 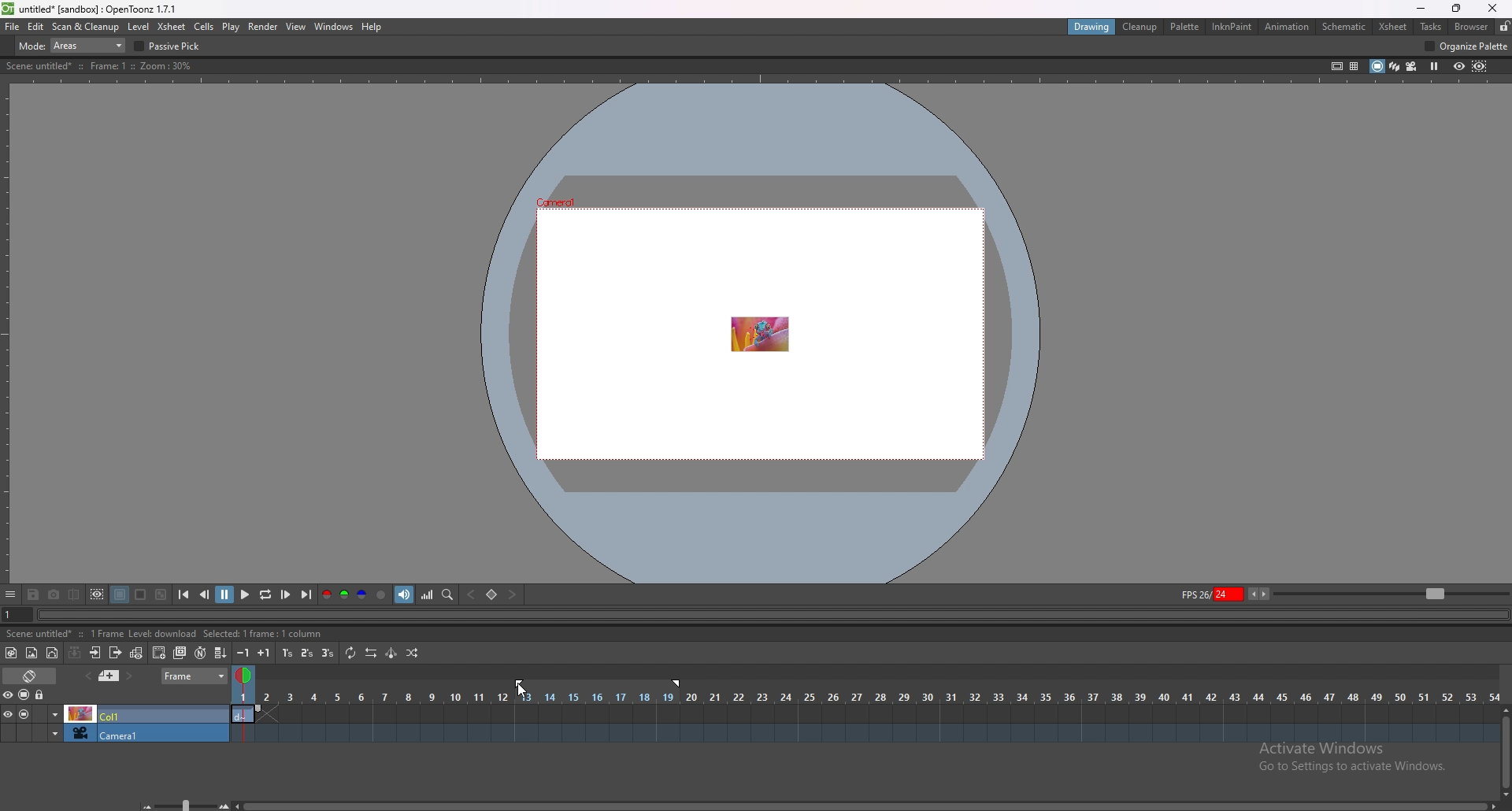 What do you see at coordinates (115, 732) in the screenshot?
I see `camera` at bounding box center [115, 732].